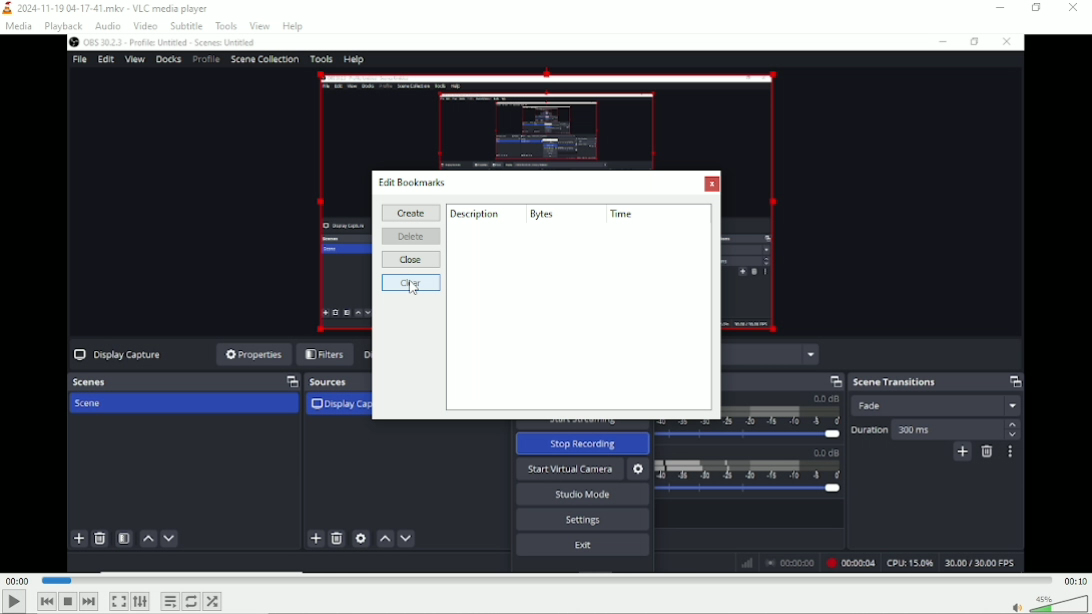  What do you see at coordinates (410, 284) in the screenshot?
I see `Clear` at bounding box center [410, 284].